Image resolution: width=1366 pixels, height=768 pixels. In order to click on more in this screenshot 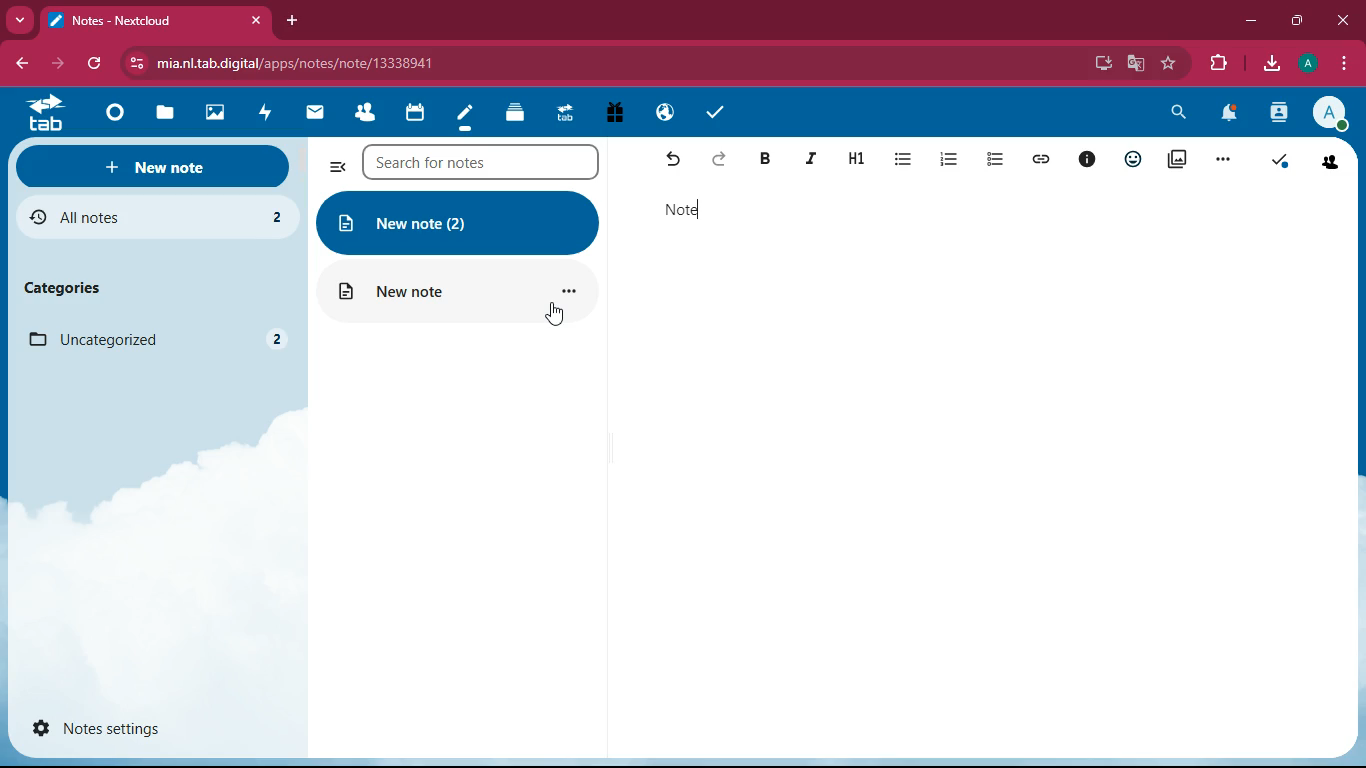, I will do `click(19, 20)`.